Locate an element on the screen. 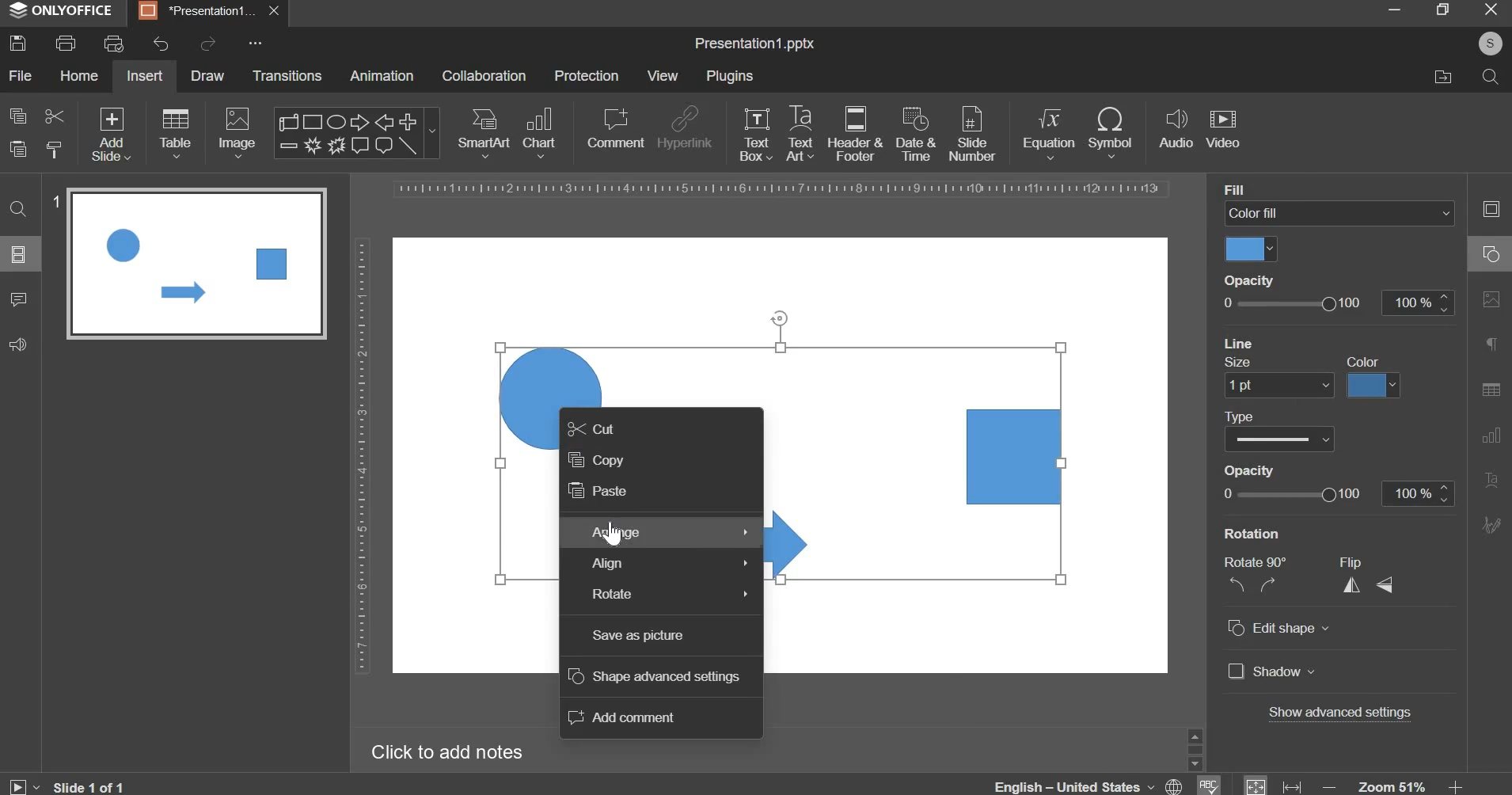 This screenshot has width=1512, height=795. zoom is located at coordinates (1393, 785).